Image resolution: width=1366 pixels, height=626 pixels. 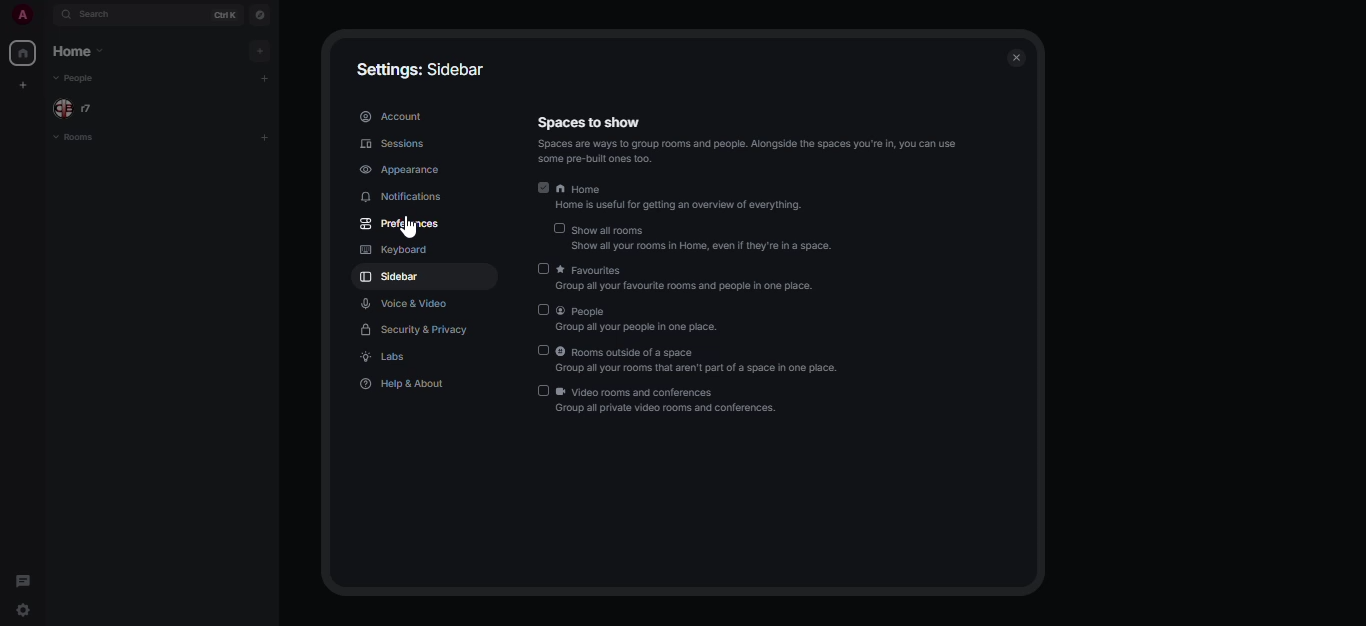 I want to click on disabled, so click(x=541, y=310).